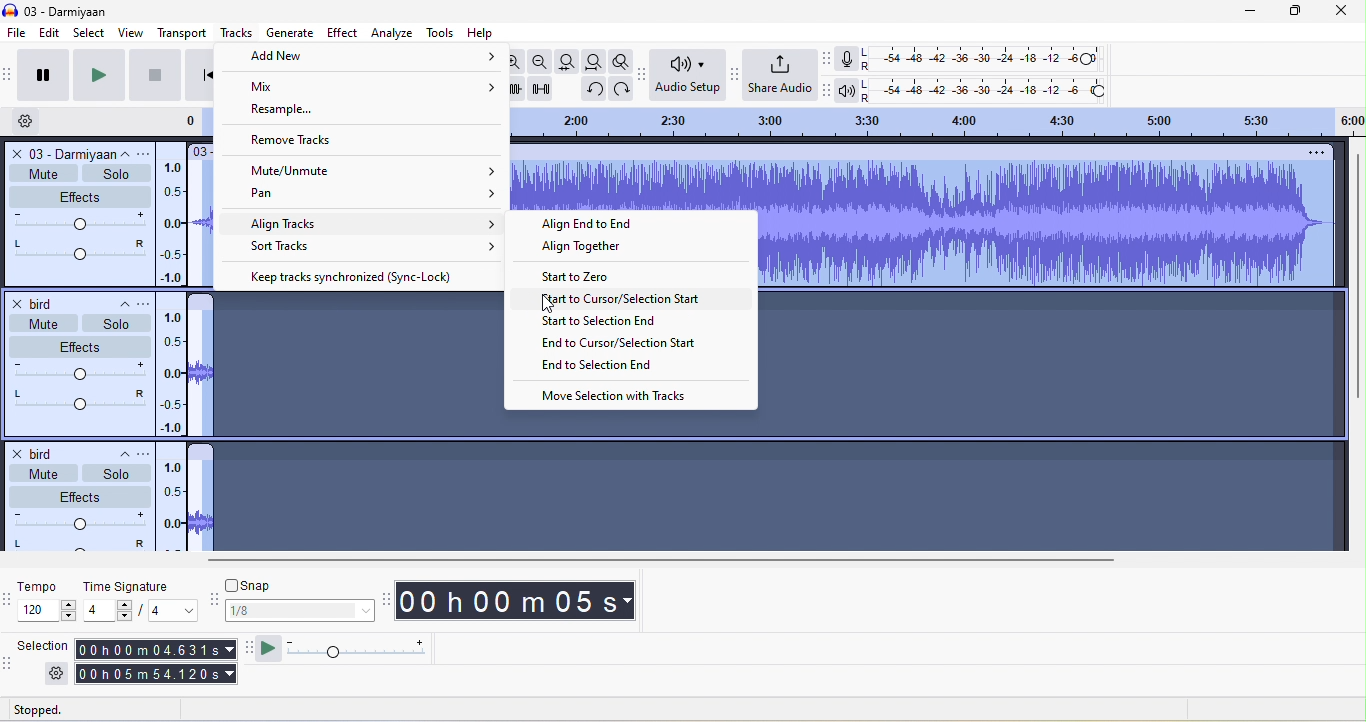 This screenshot has width=1366, height=722. Describe the element at coordinates (34, 121) in the screenshot. I see `timeline option` at that location.